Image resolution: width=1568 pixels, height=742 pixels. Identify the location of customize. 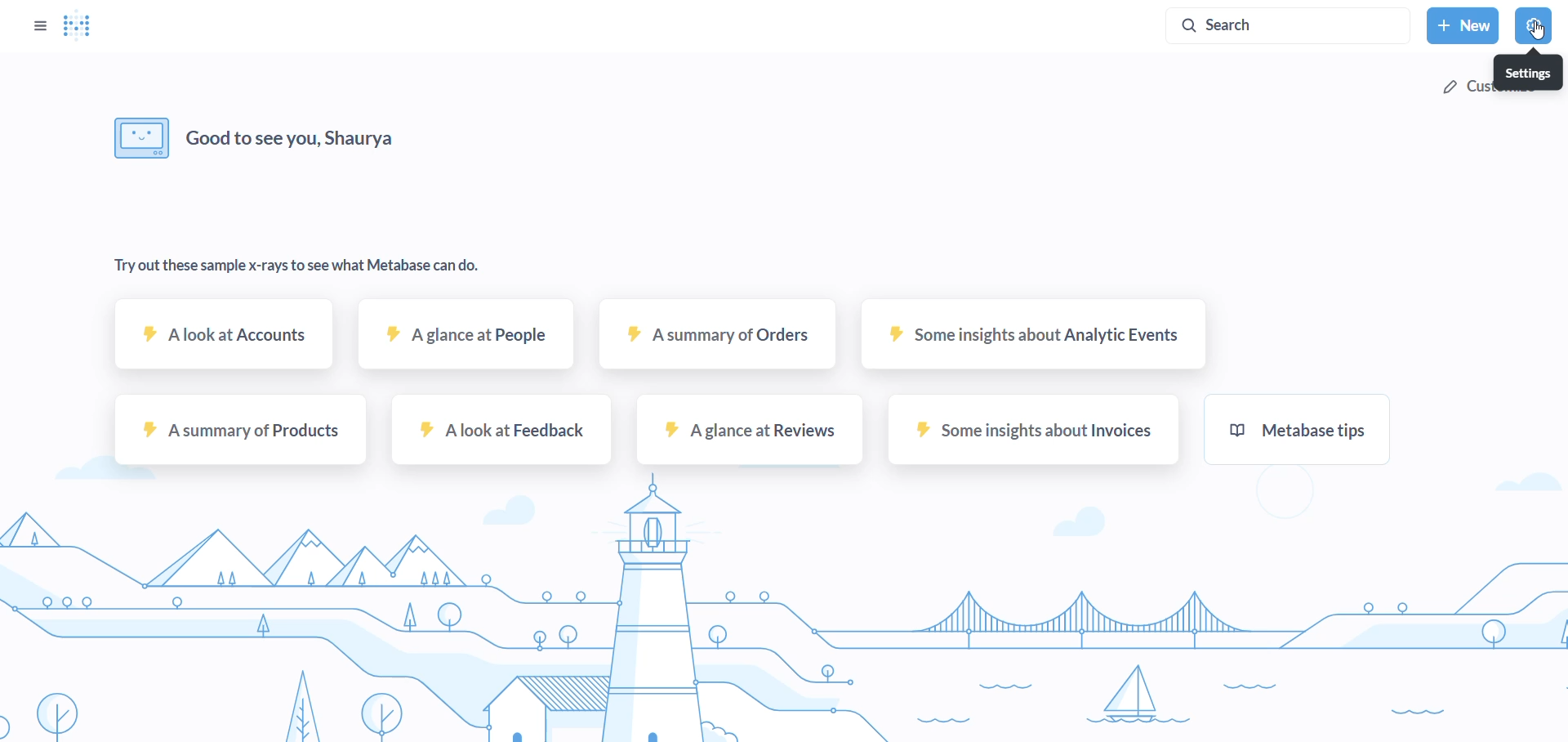
(1466, 87).